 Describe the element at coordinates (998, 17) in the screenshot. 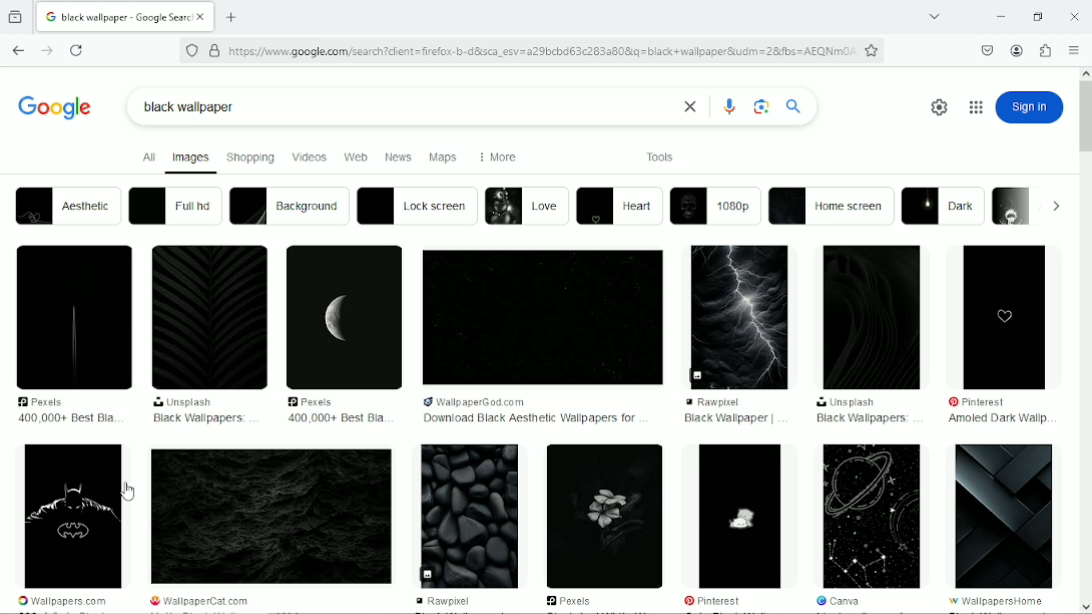

I see `minimize` at that location.